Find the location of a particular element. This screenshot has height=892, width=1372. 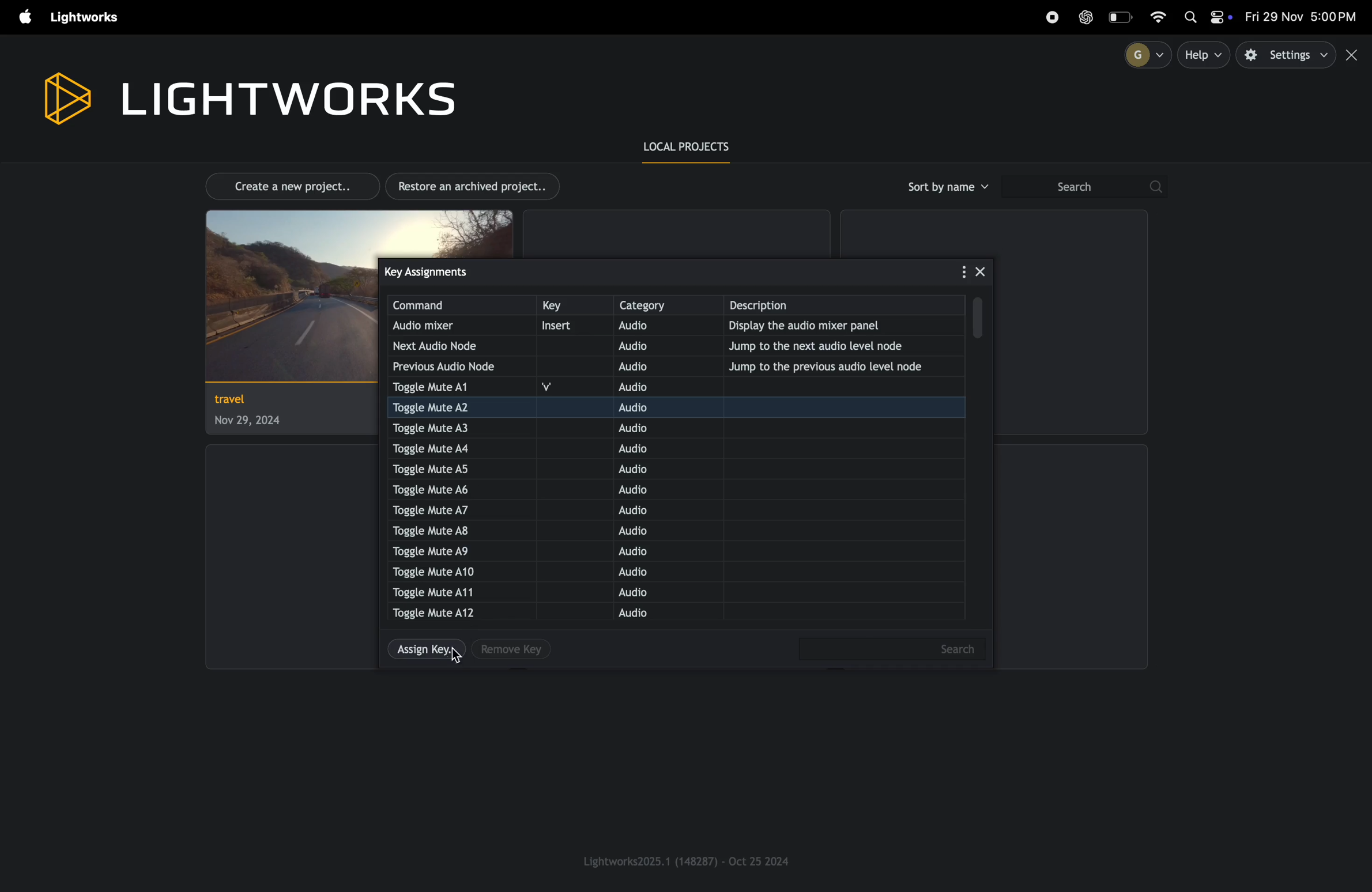

light works version is located at coordinates (688, 860).